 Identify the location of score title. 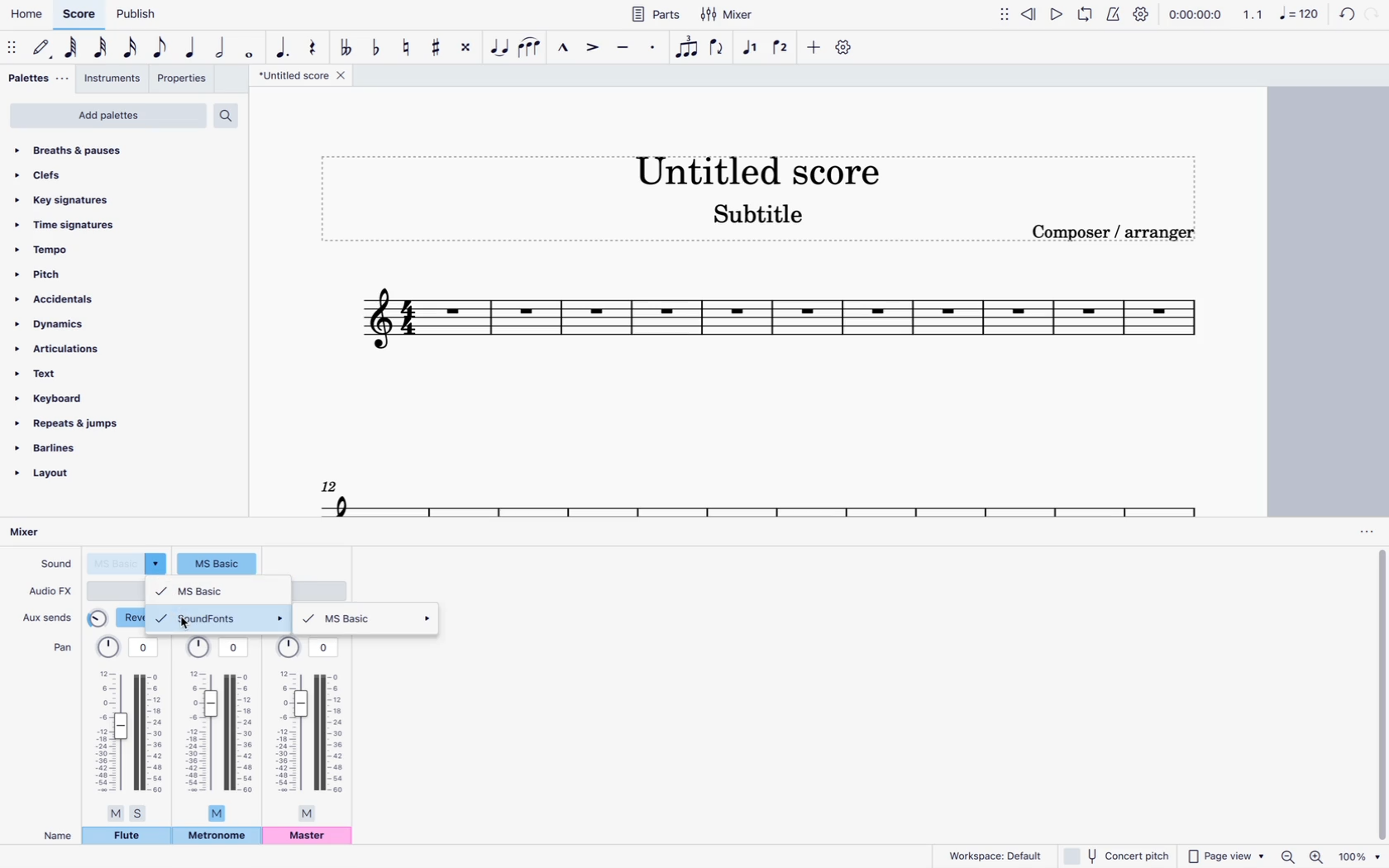
(305, 75).